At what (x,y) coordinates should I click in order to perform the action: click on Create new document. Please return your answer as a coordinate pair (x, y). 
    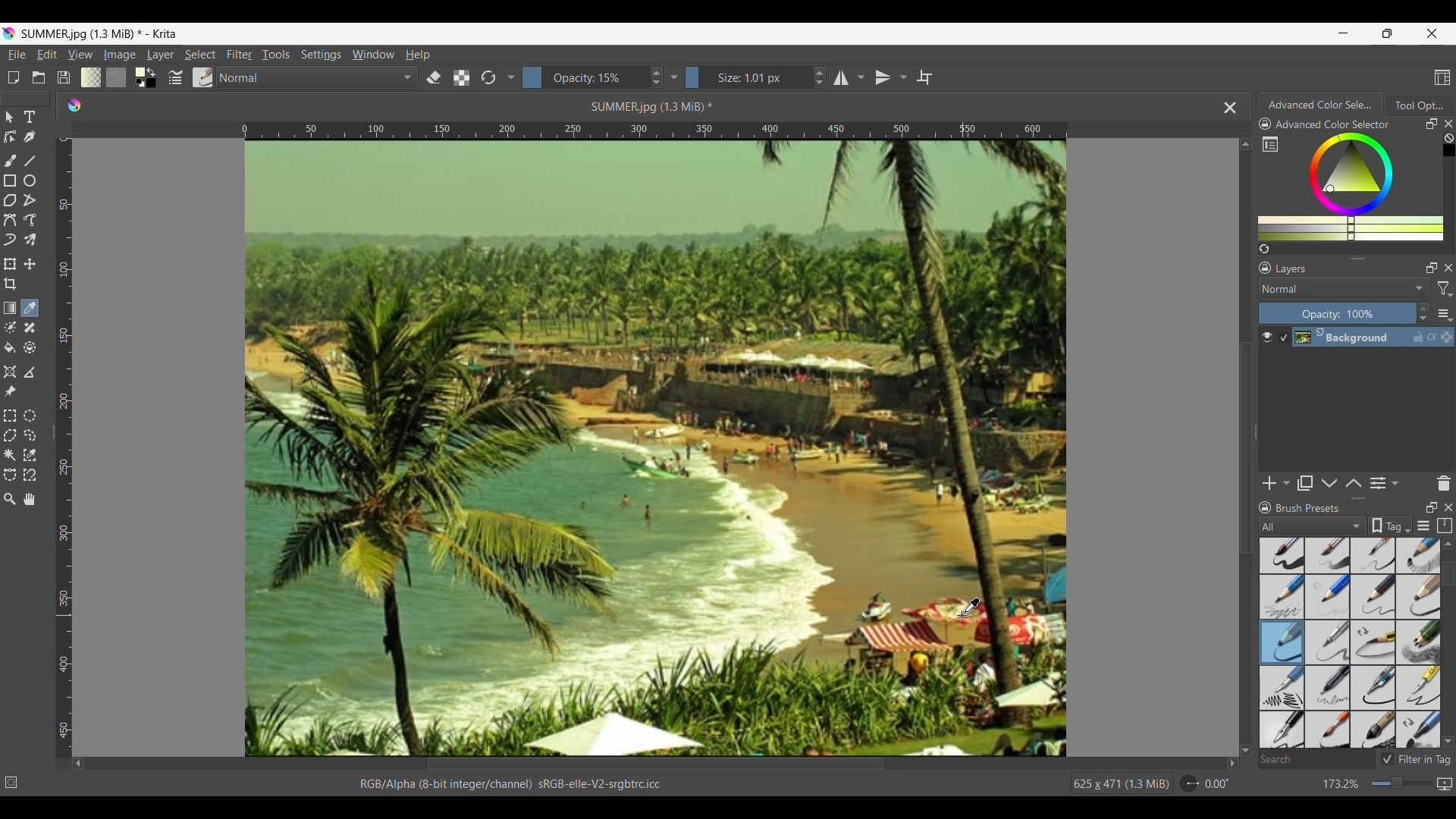
    Looking at the image, I should click on (13, 78).